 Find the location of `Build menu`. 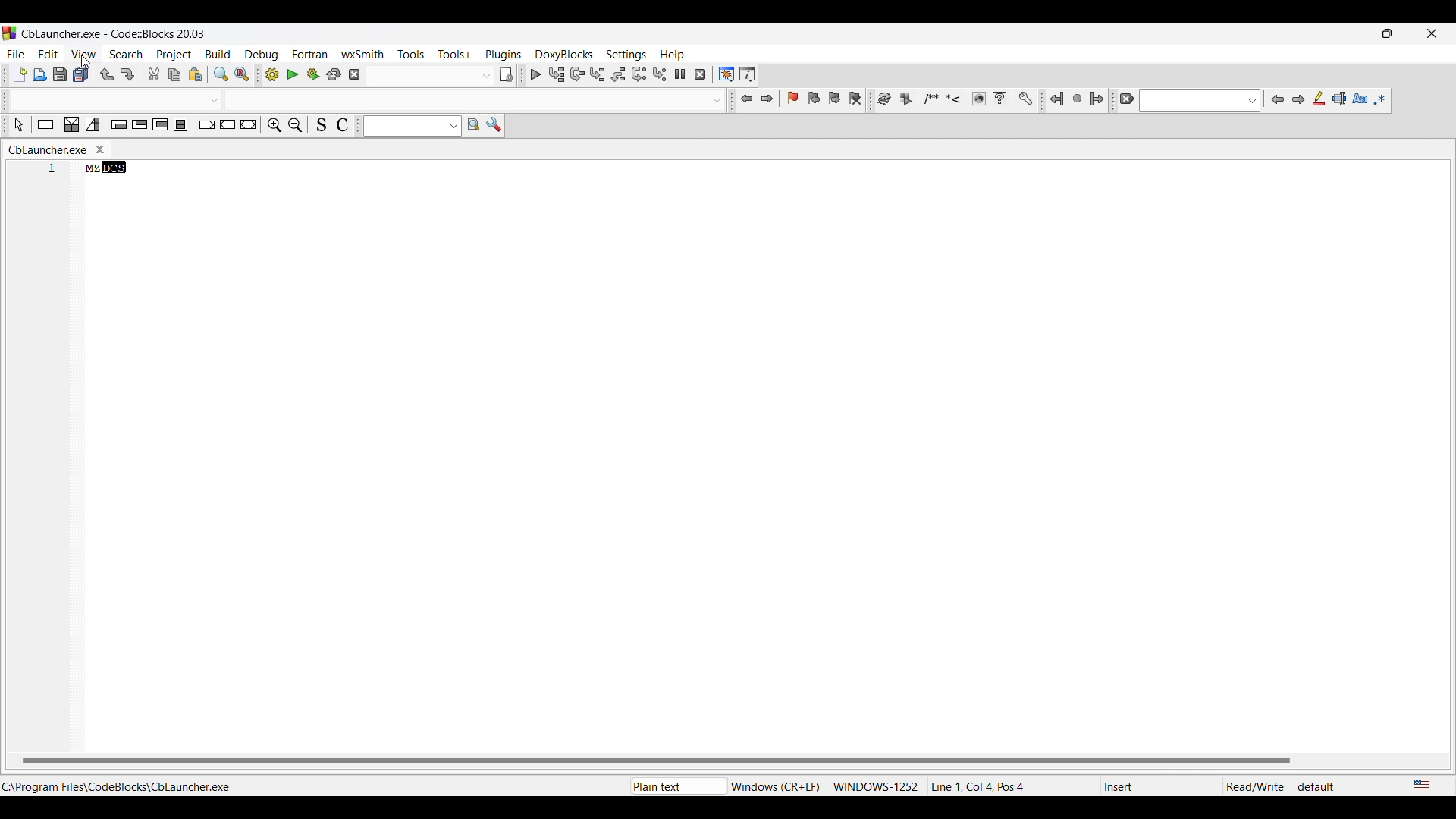

Build menu is located at coordinates (218, 54).